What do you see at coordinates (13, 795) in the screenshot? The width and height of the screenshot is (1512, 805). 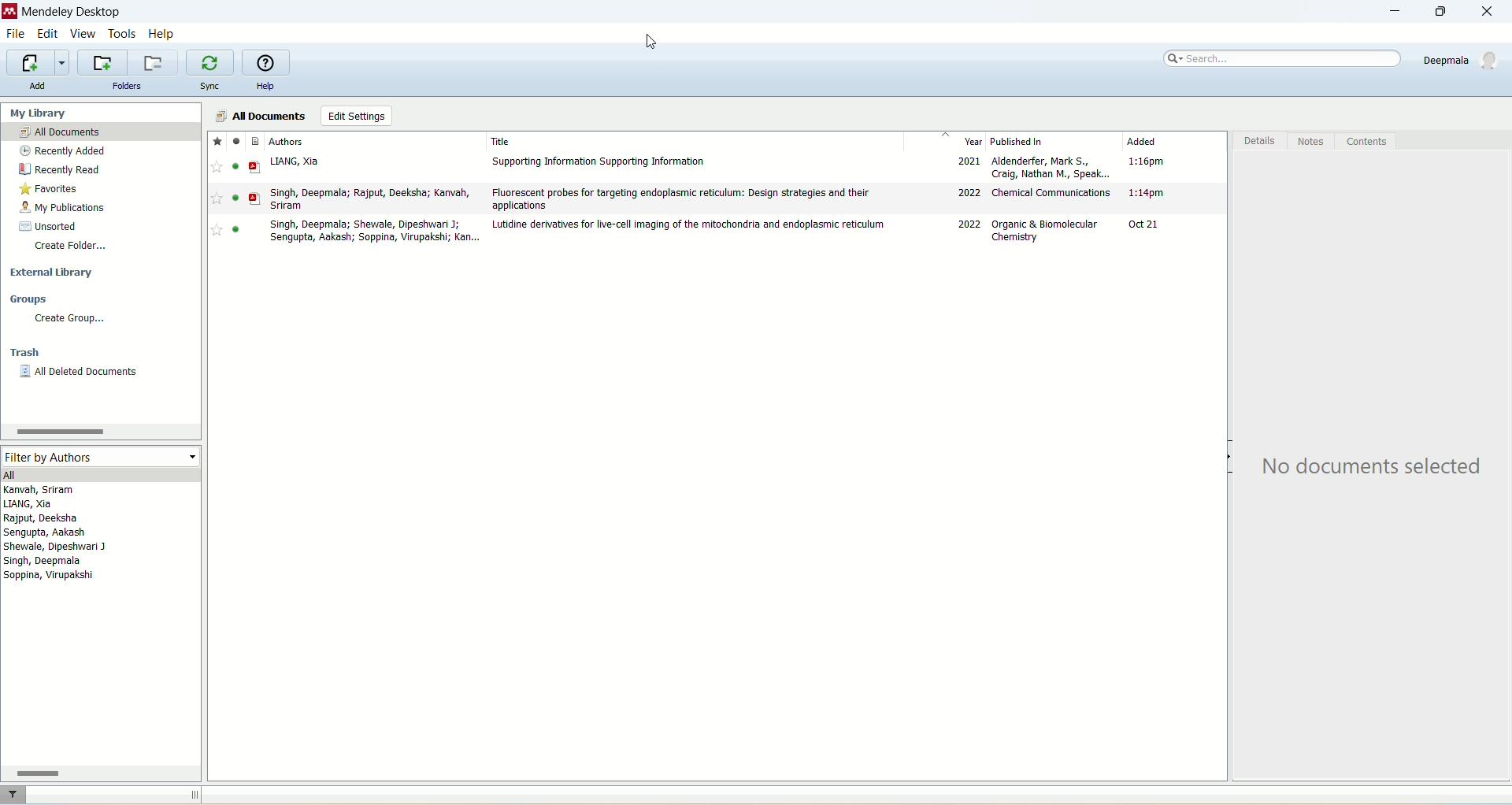 I see `filter` at bounding box center [13, 795].